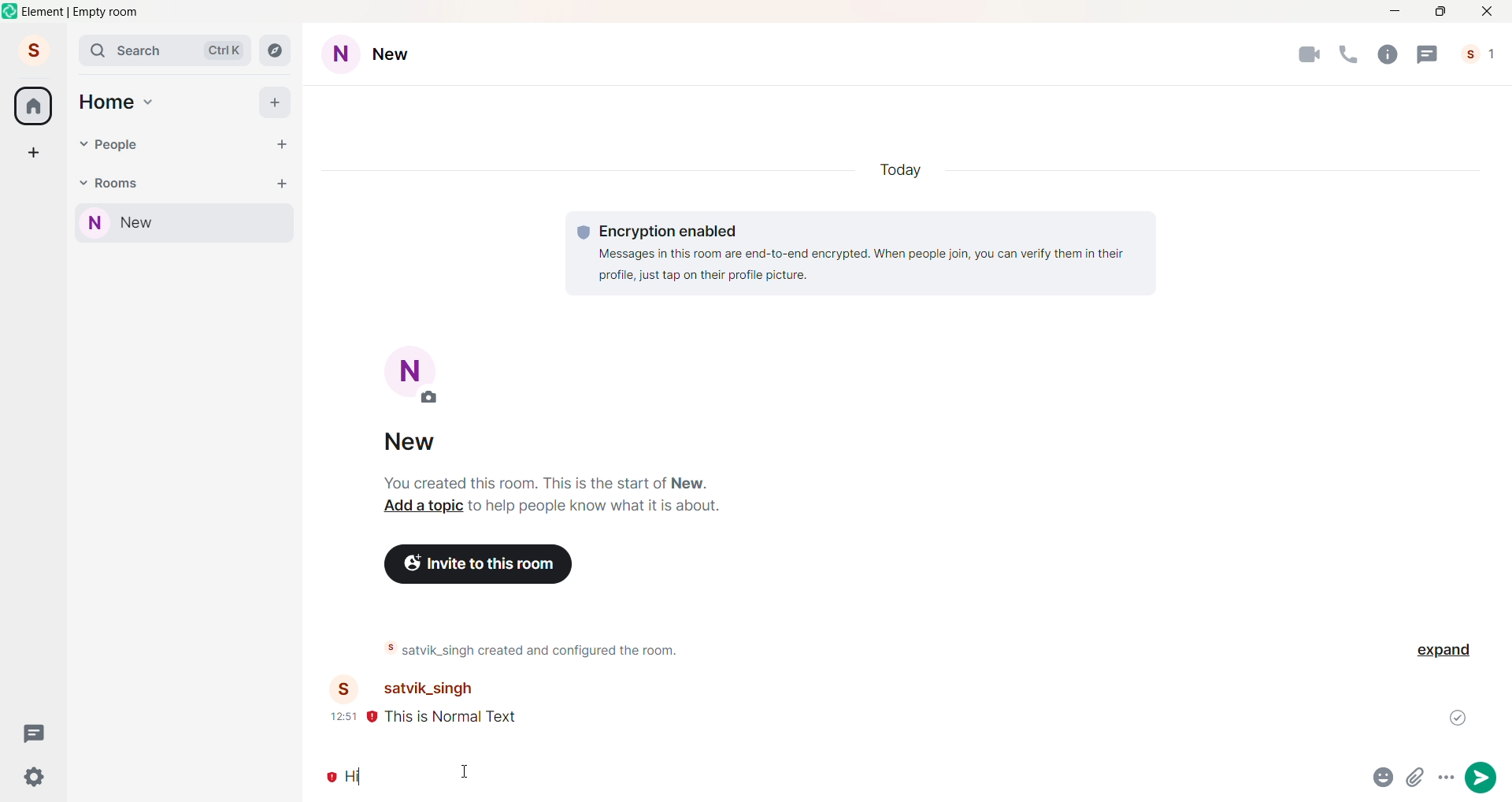 The image size is (1512, 802). I want to click on Threads, so click(36, 733).